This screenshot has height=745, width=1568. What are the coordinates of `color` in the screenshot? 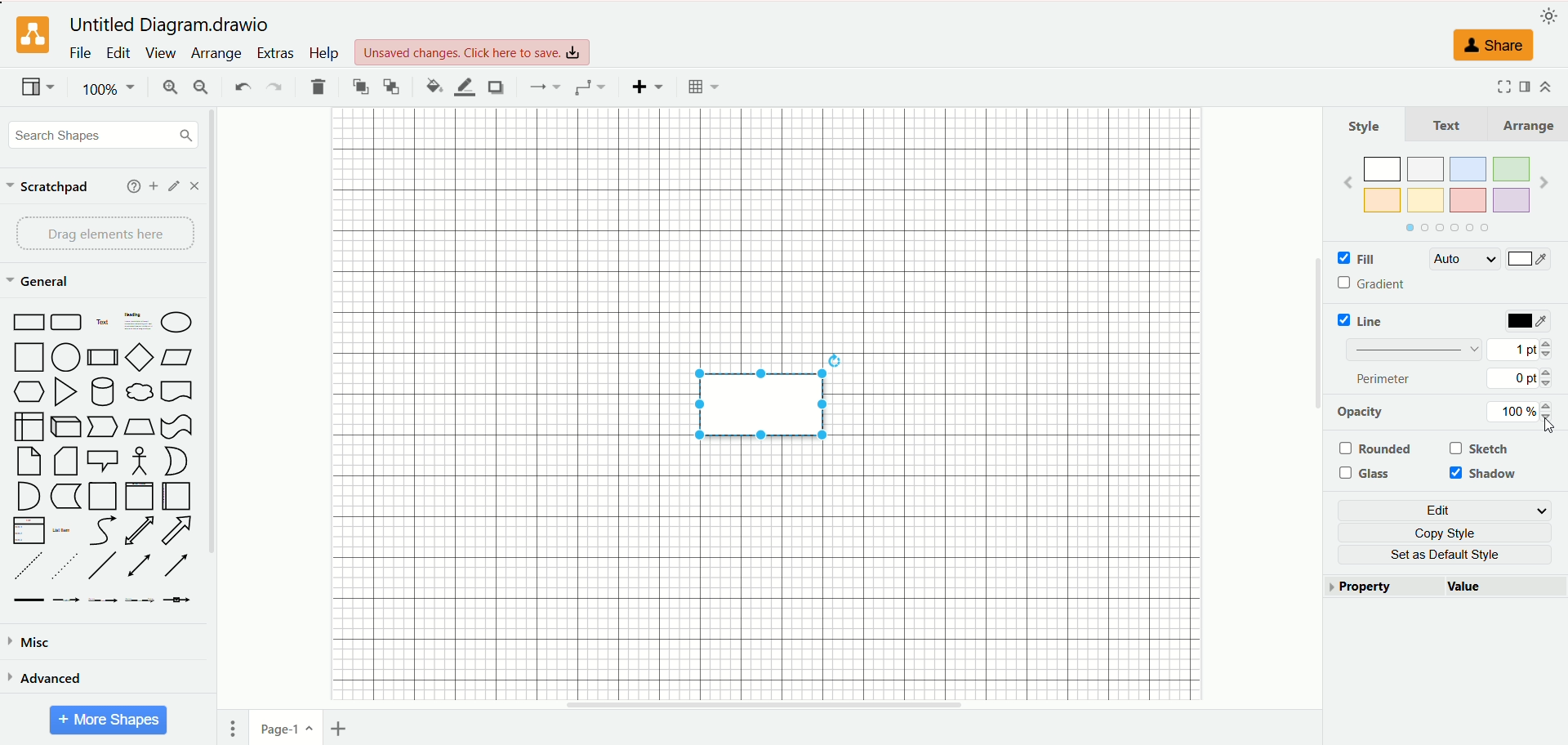 It's located at (1528, 261).